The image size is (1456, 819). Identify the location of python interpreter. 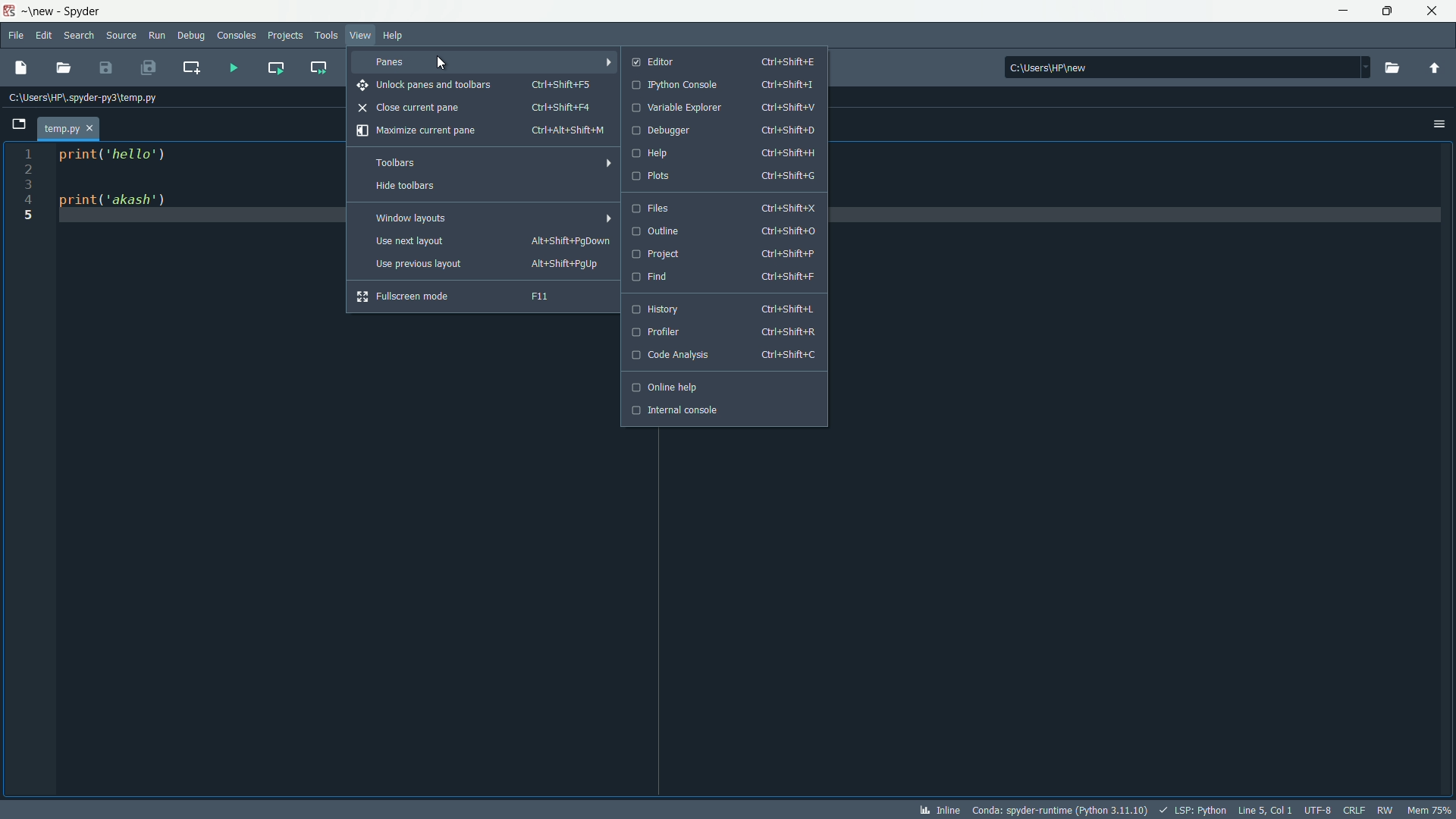
(1059, 810).